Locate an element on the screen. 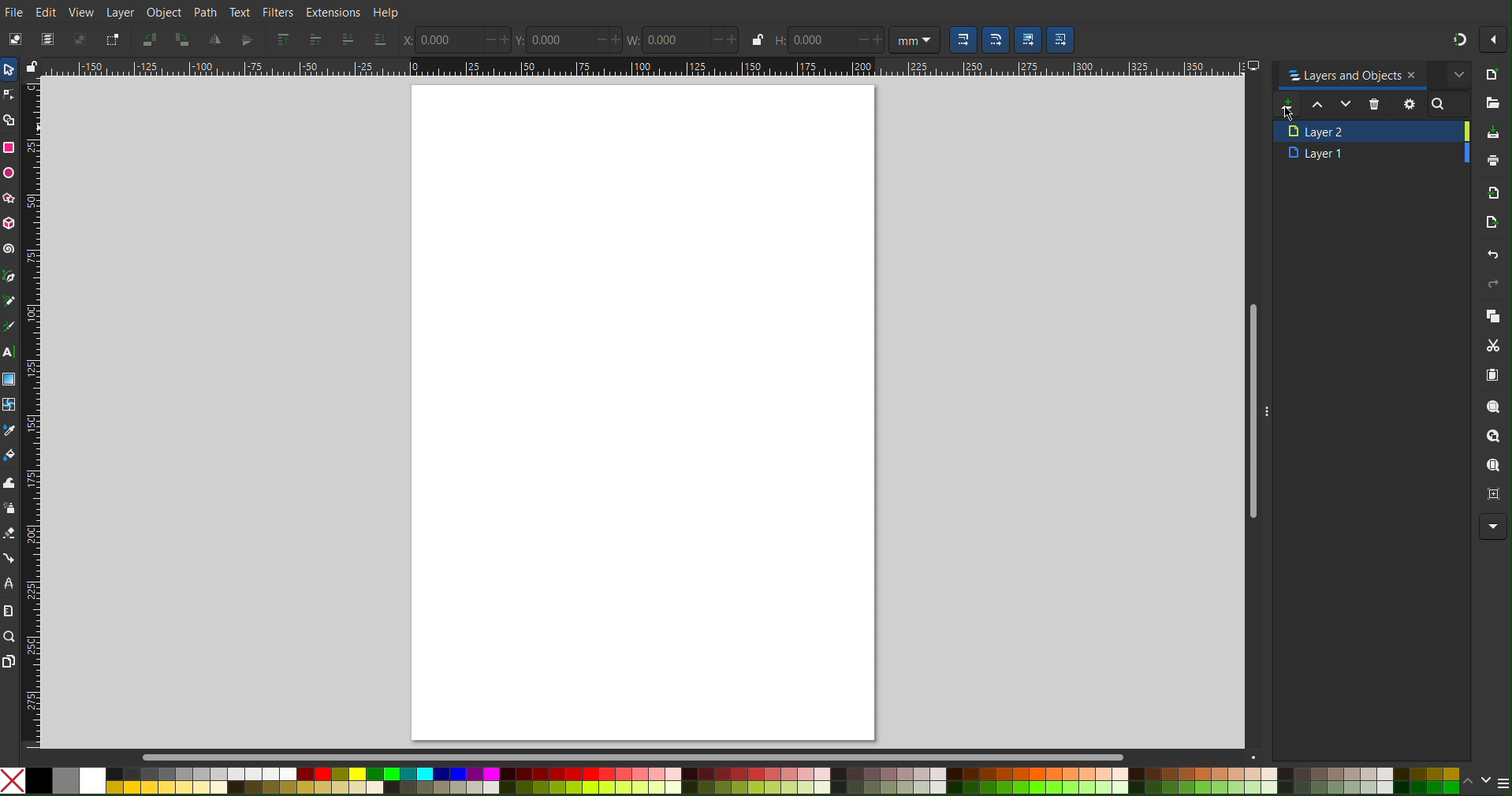 This screenshot has height=796, width=1512. Color Settings is located at coordinates (756, 779).